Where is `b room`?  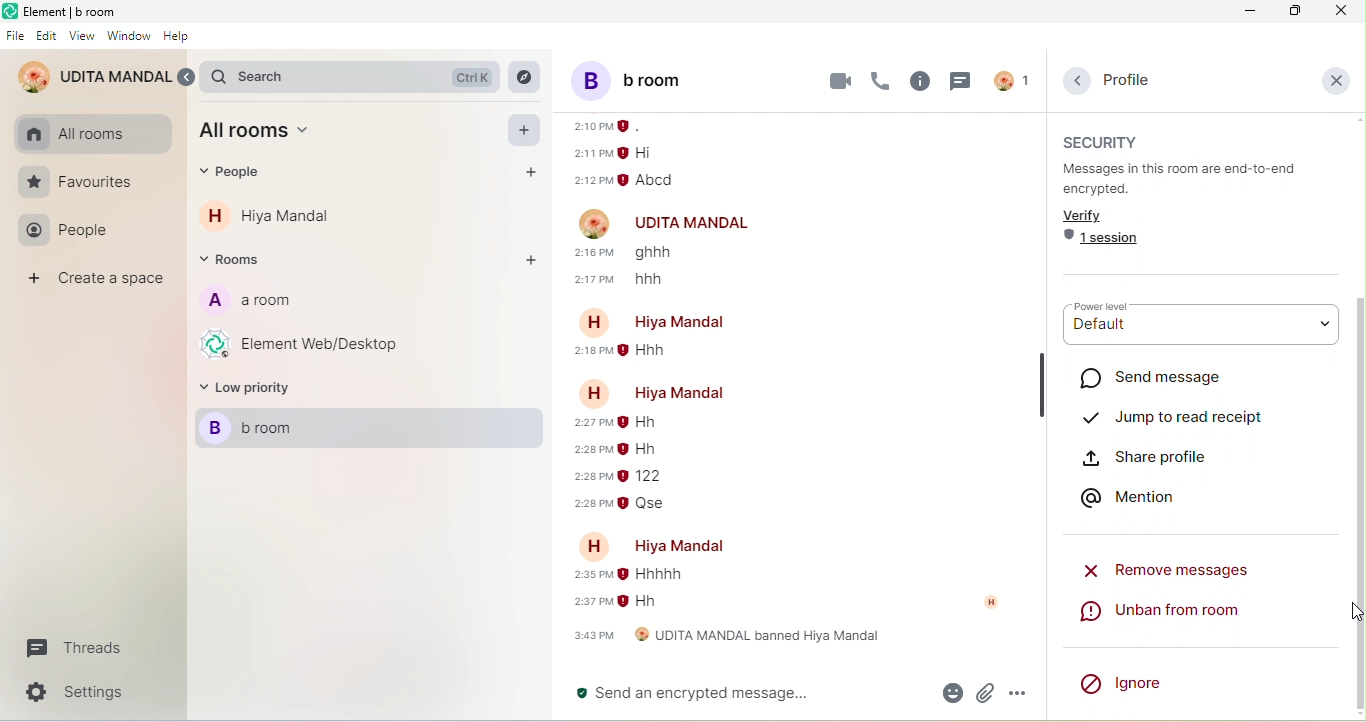
b room is located at coordinates (373, 430).